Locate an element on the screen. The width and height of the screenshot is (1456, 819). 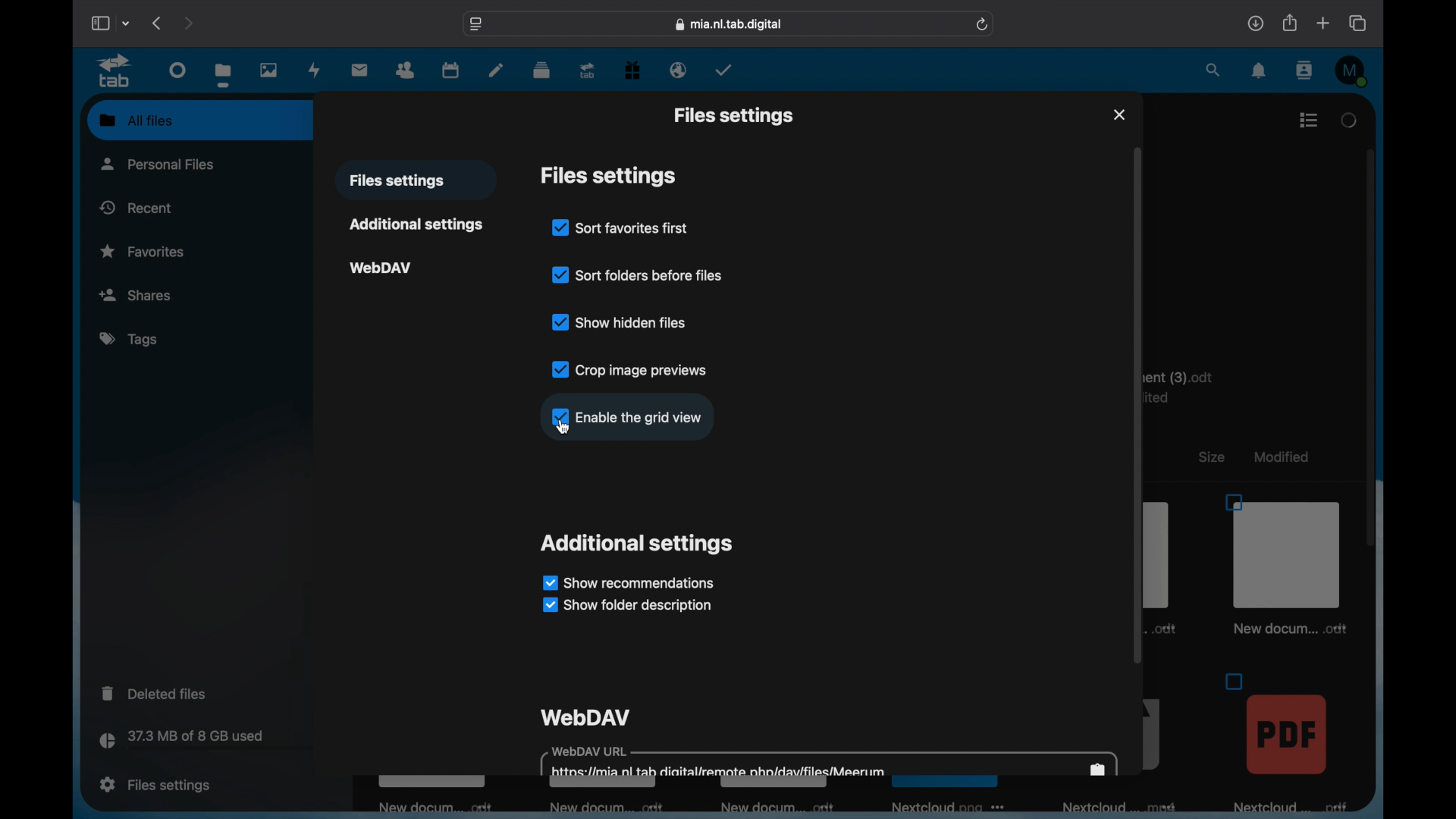
webdav url is located at coordinates (830, 762).